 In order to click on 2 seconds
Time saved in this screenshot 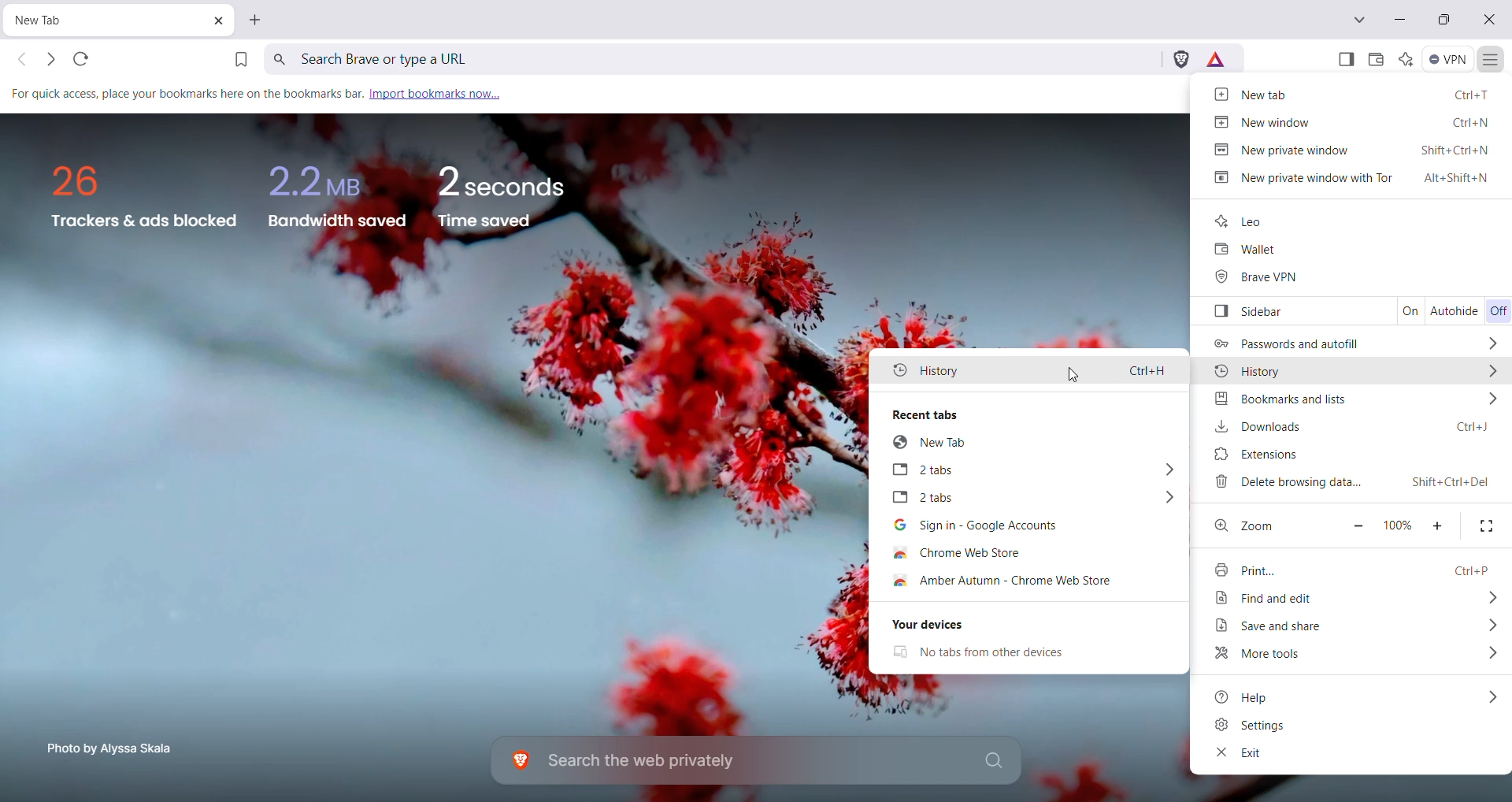, I will do `click(512, 191)`.